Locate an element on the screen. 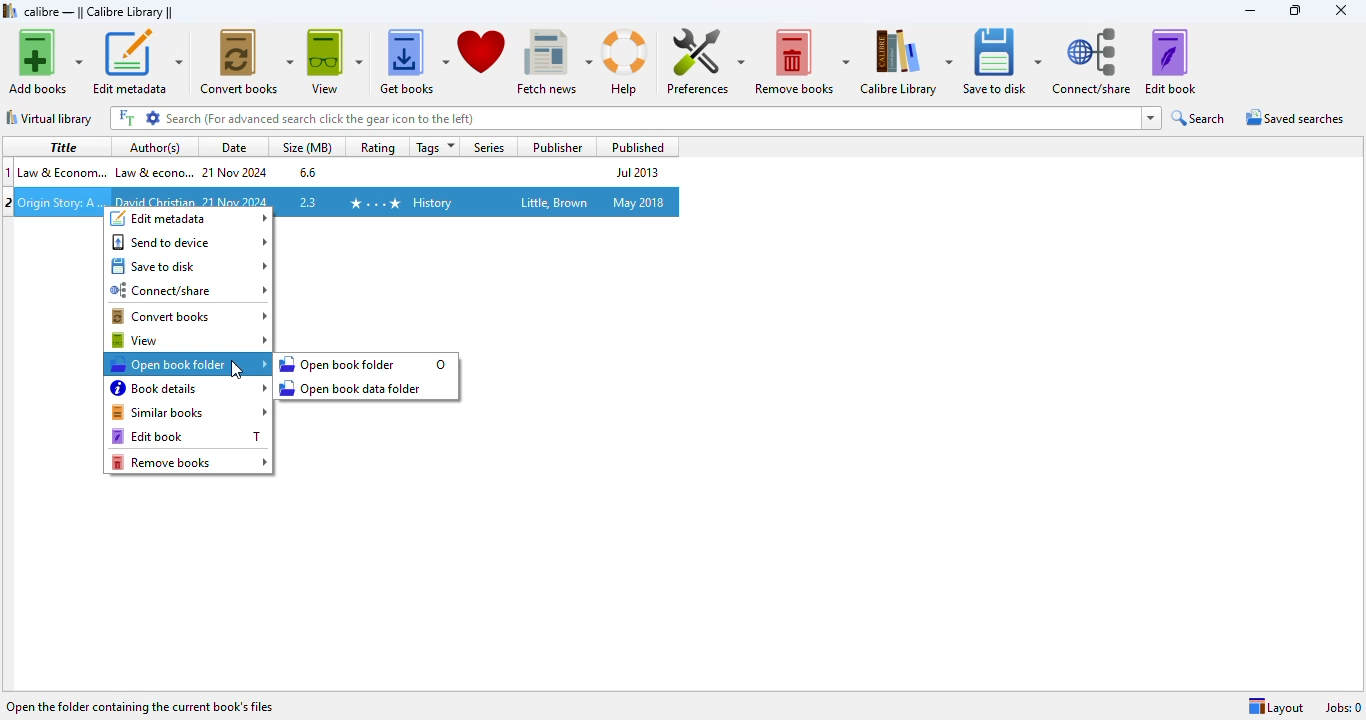  minimize is located at coordinates (1249, 10).